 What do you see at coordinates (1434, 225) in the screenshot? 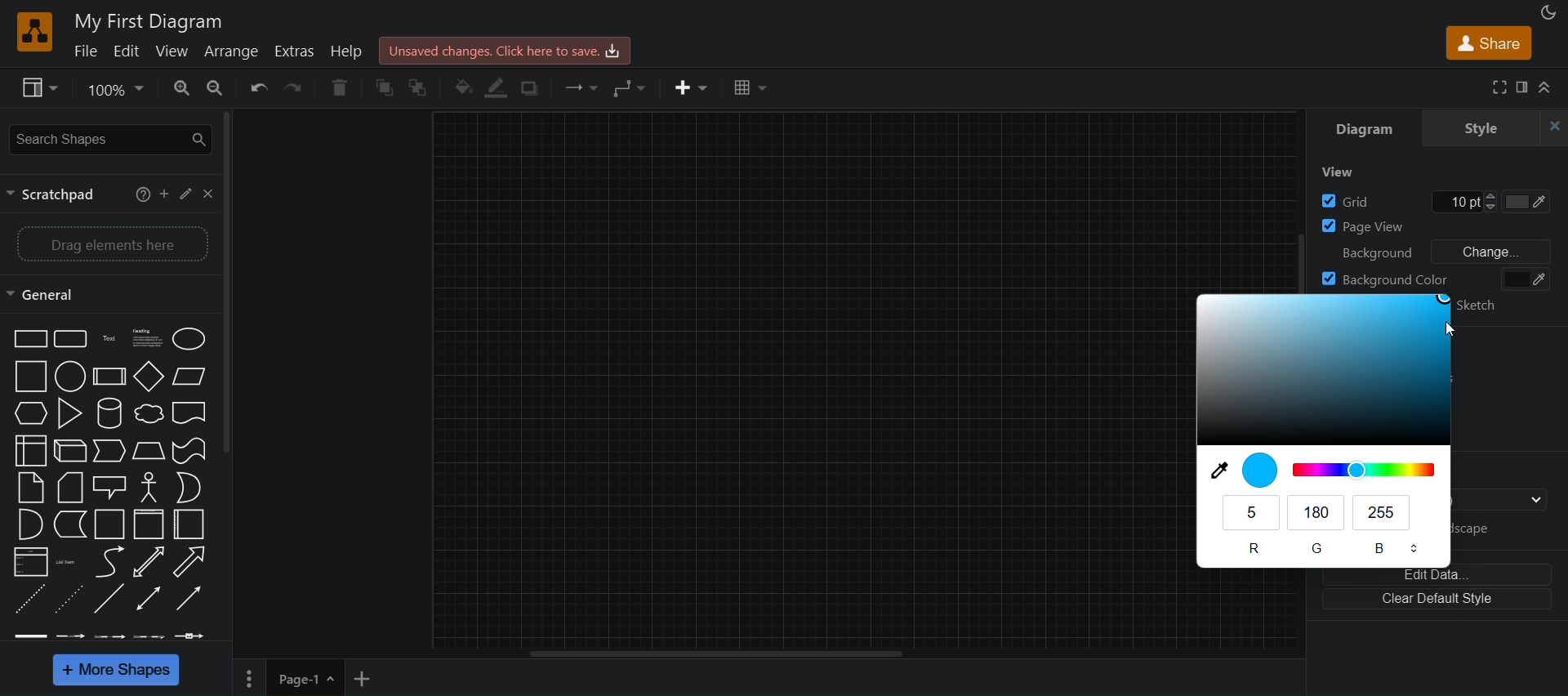
I see `page view` at bounding box center [1434, 225].